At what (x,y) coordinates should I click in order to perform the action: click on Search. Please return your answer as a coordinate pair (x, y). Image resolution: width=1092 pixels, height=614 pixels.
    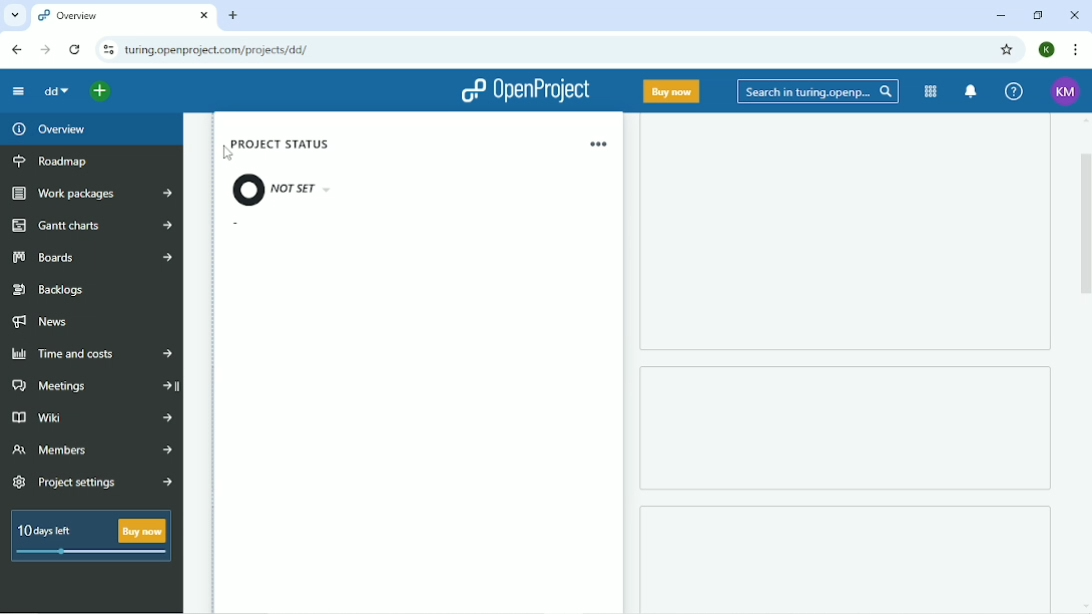
    Looking at the image, I should click on (818, 91).